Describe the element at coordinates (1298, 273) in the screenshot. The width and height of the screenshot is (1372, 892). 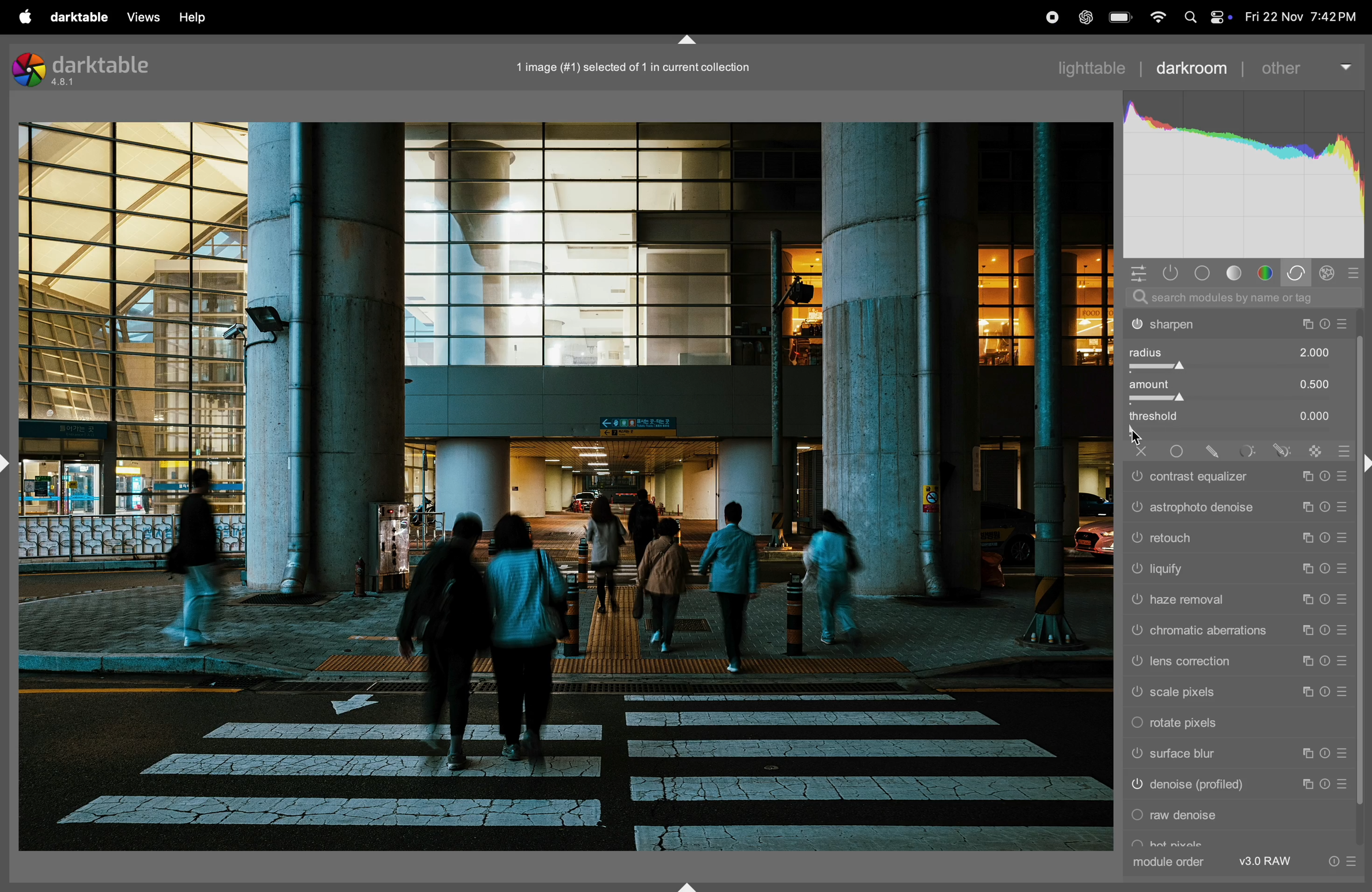
I see `correct` at that location.